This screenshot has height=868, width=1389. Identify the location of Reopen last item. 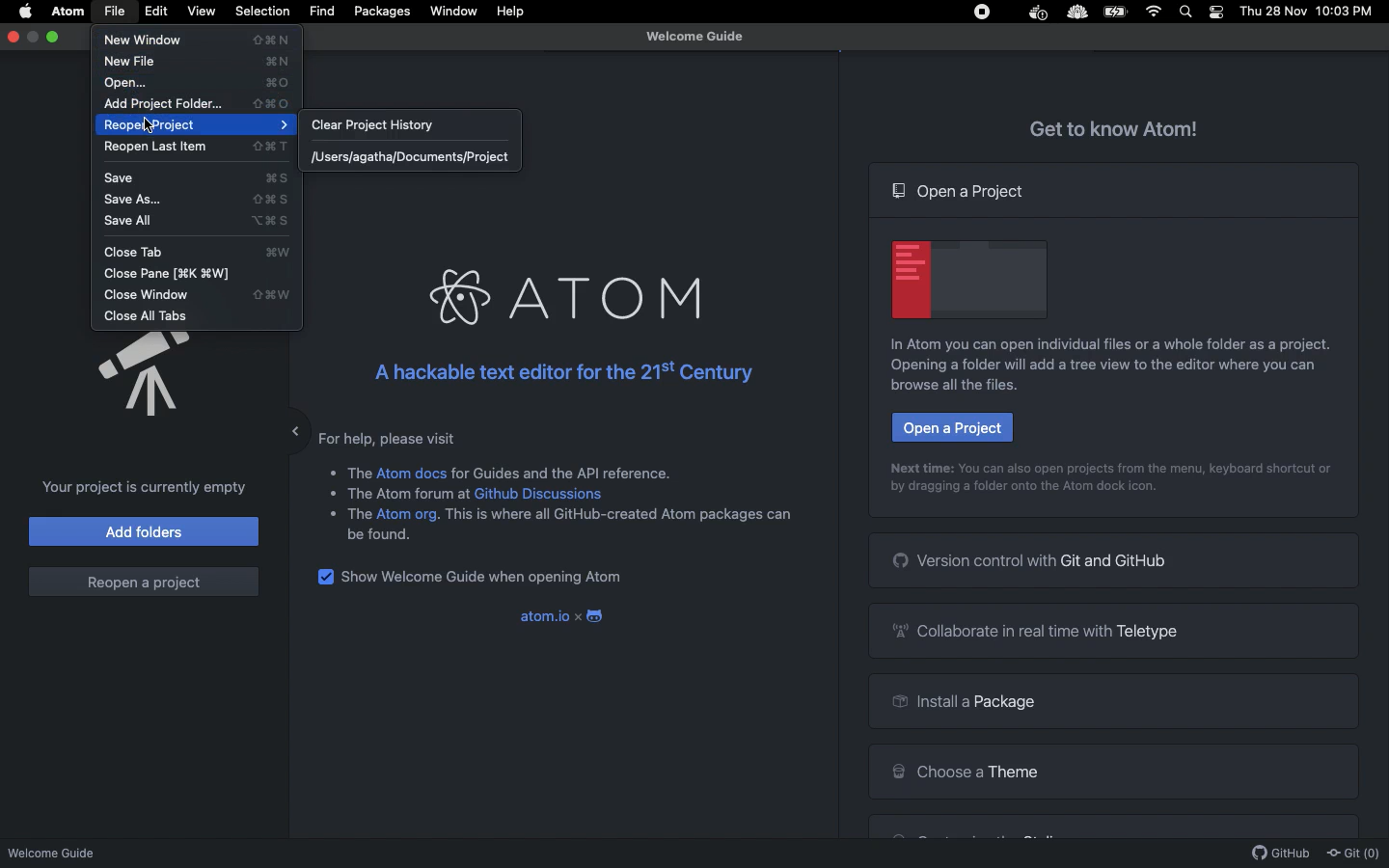
(197, 149).